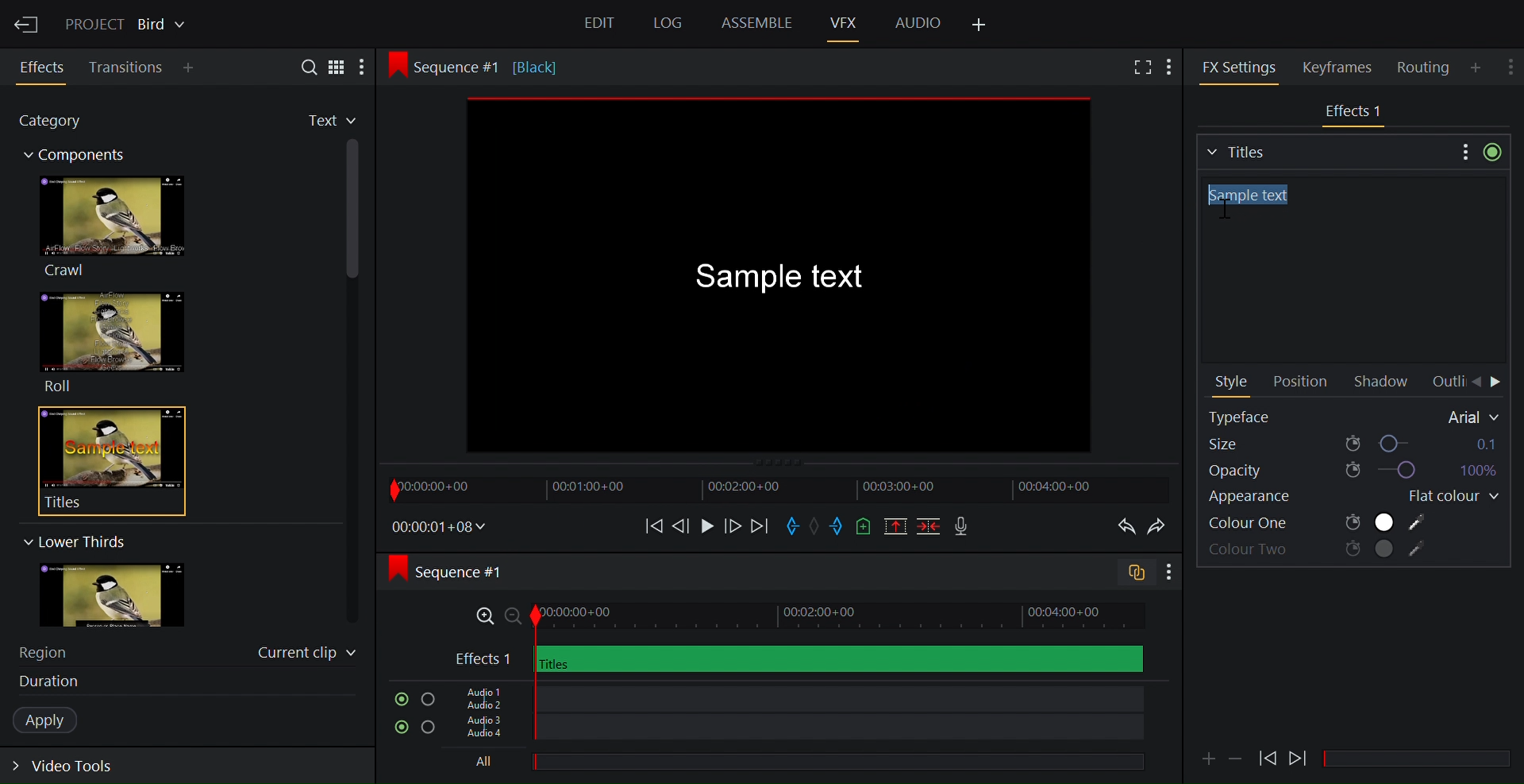  Describe the element at coordinates (759, 527) in the screenshot. I see `Move forward` at that location.